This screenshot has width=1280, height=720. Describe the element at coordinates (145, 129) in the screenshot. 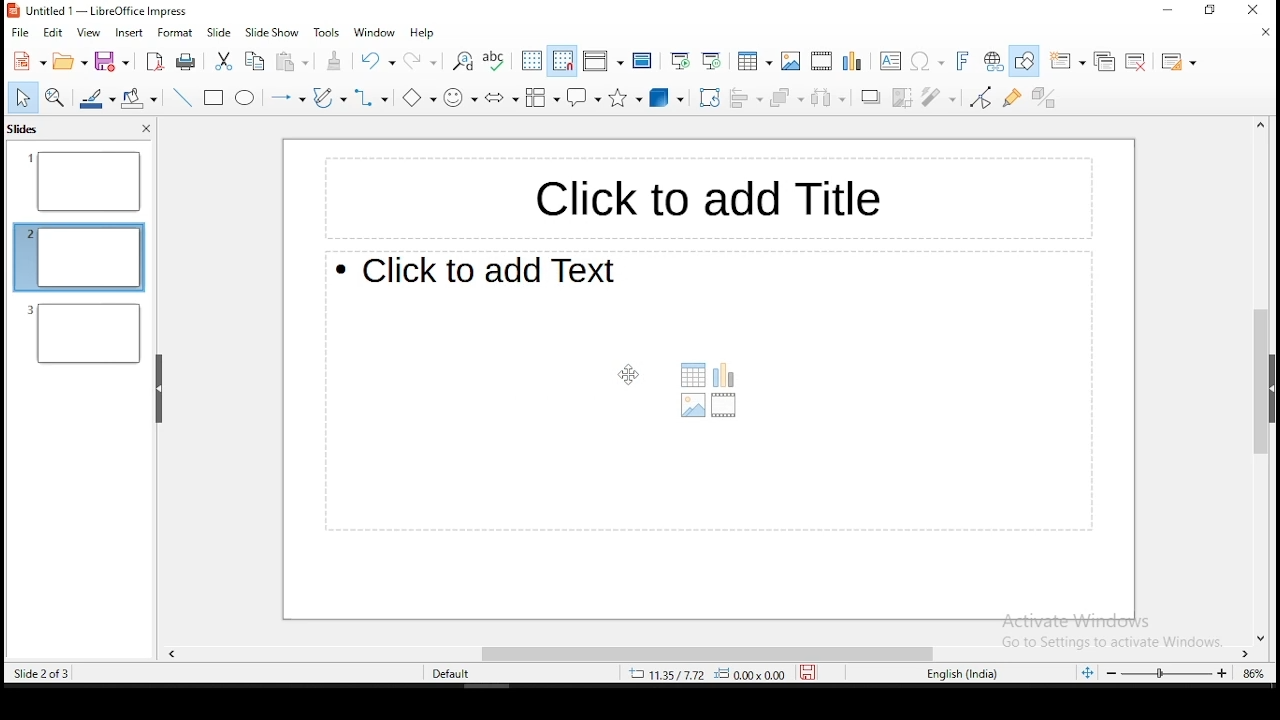

I see `close pane` at that location.